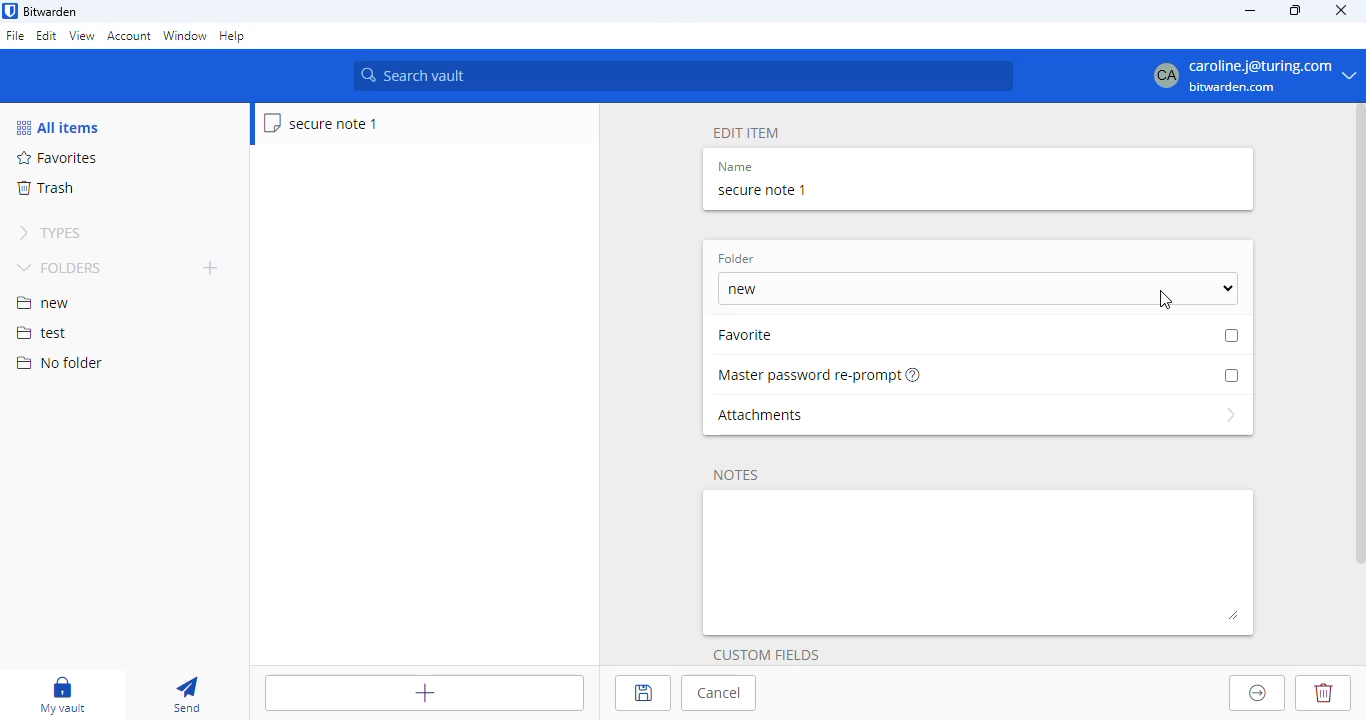 This screenshot has width=1366, height=720. I want to click on add, so click(211, 267).